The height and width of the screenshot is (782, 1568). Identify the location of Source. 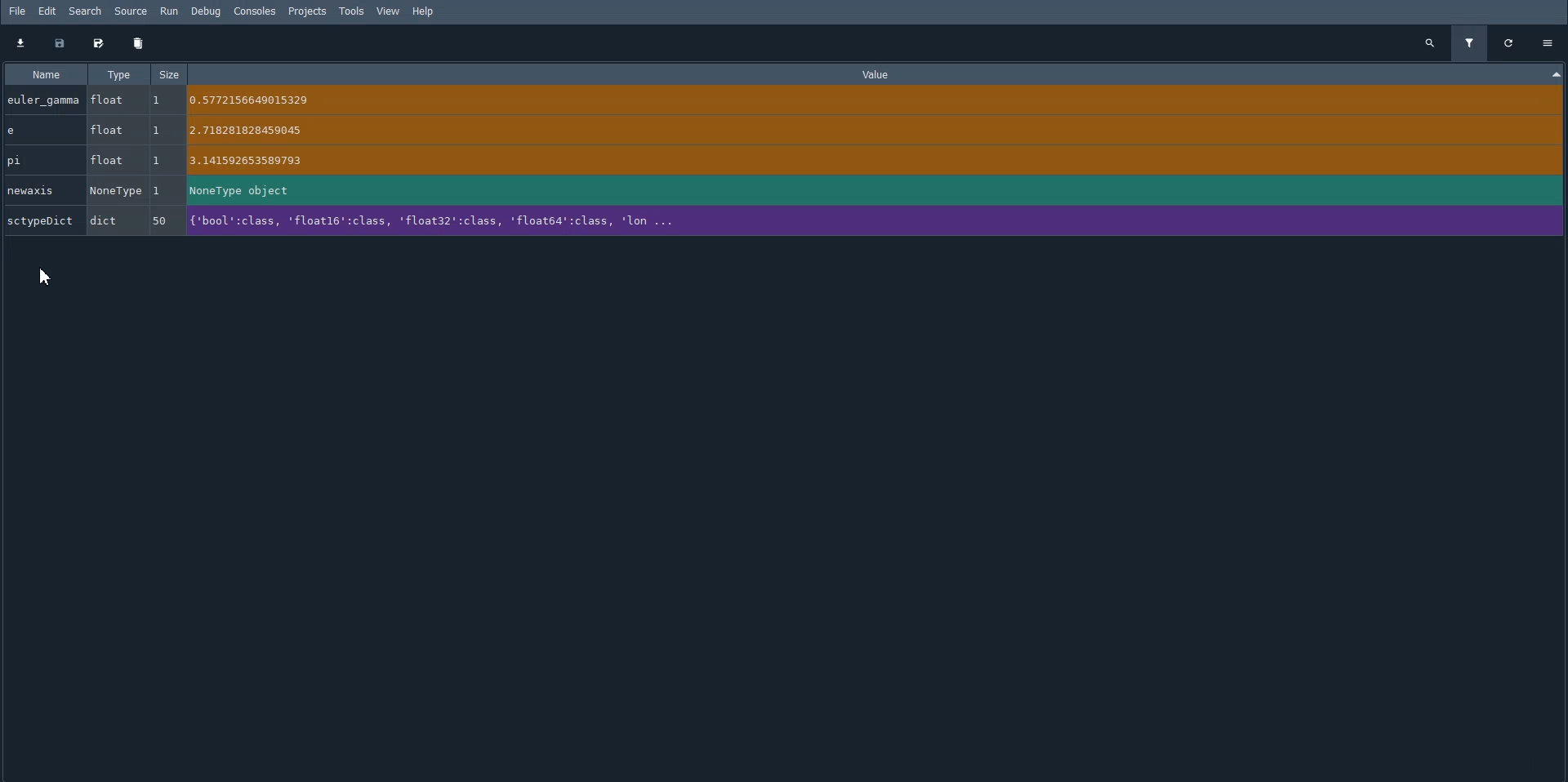
(130, 11).